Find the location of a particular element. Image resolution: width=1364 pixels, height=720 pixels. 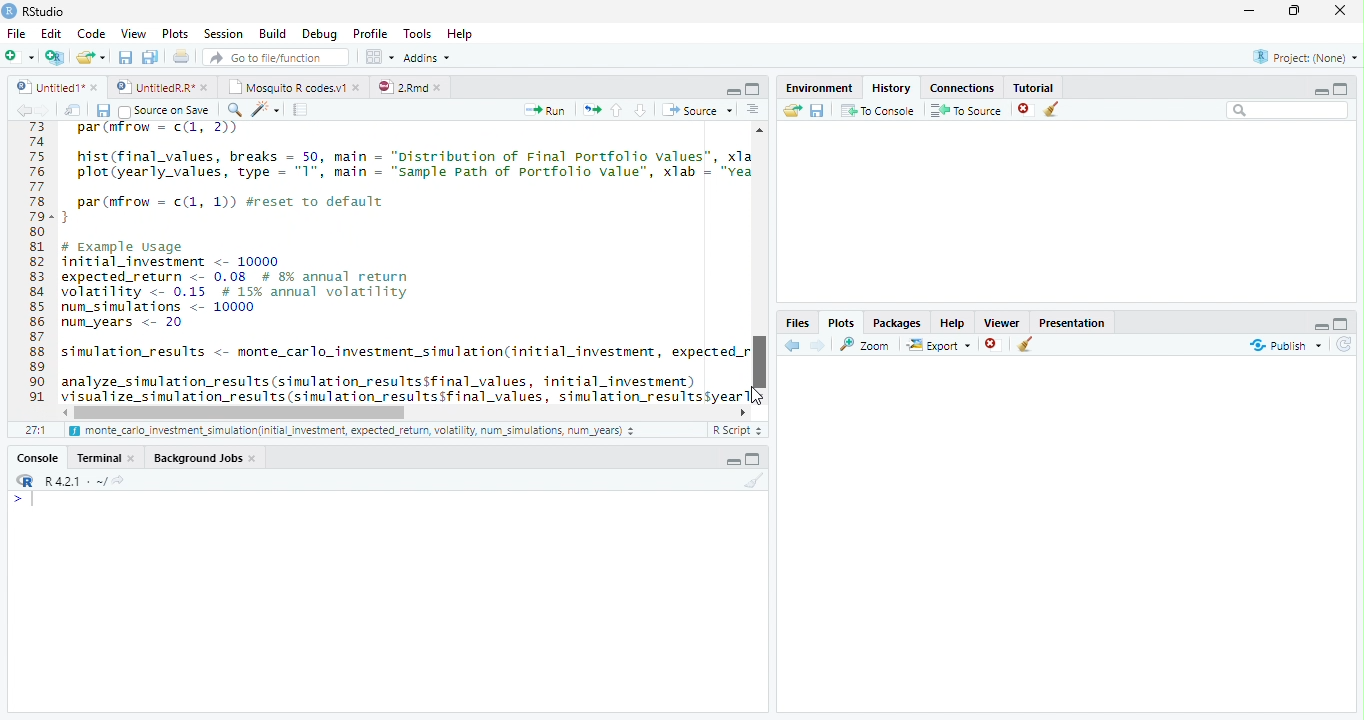

Load history from an existing file is located at coordinates (791, 111).